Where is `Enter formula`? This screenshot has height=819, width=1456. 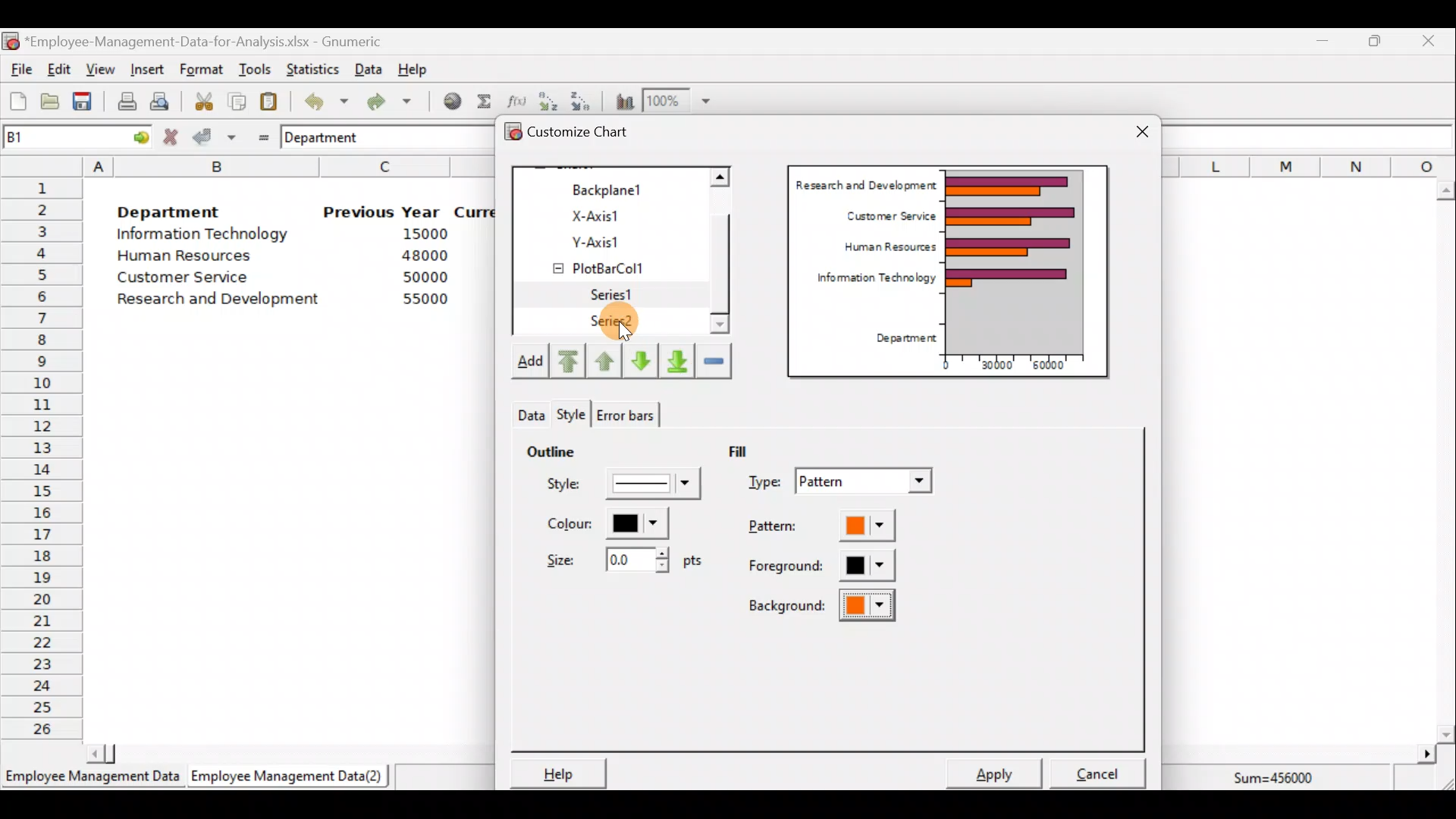 Enter formula is located at coordinates (259, 134).